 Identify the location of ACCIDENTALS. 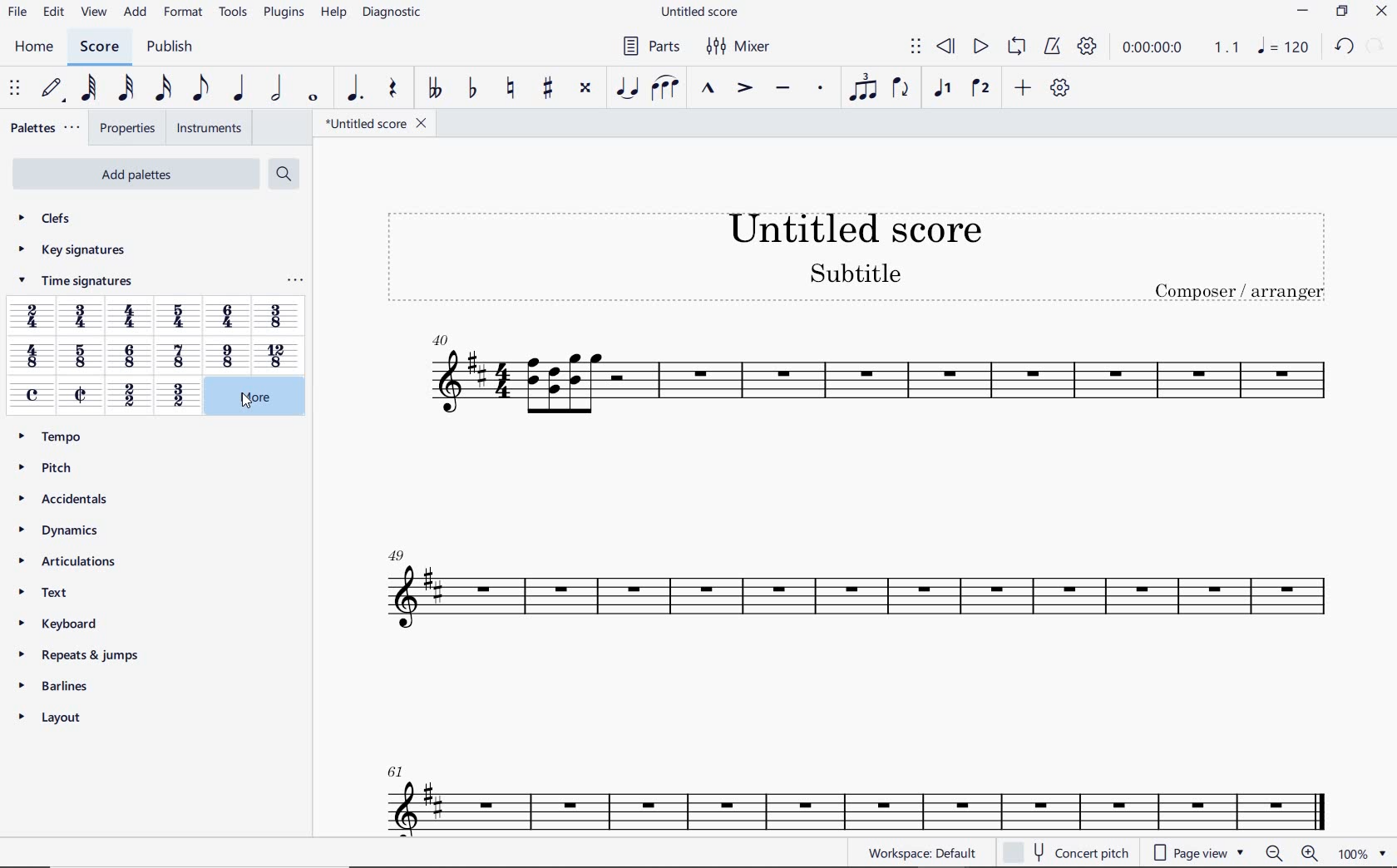
(67, 496).